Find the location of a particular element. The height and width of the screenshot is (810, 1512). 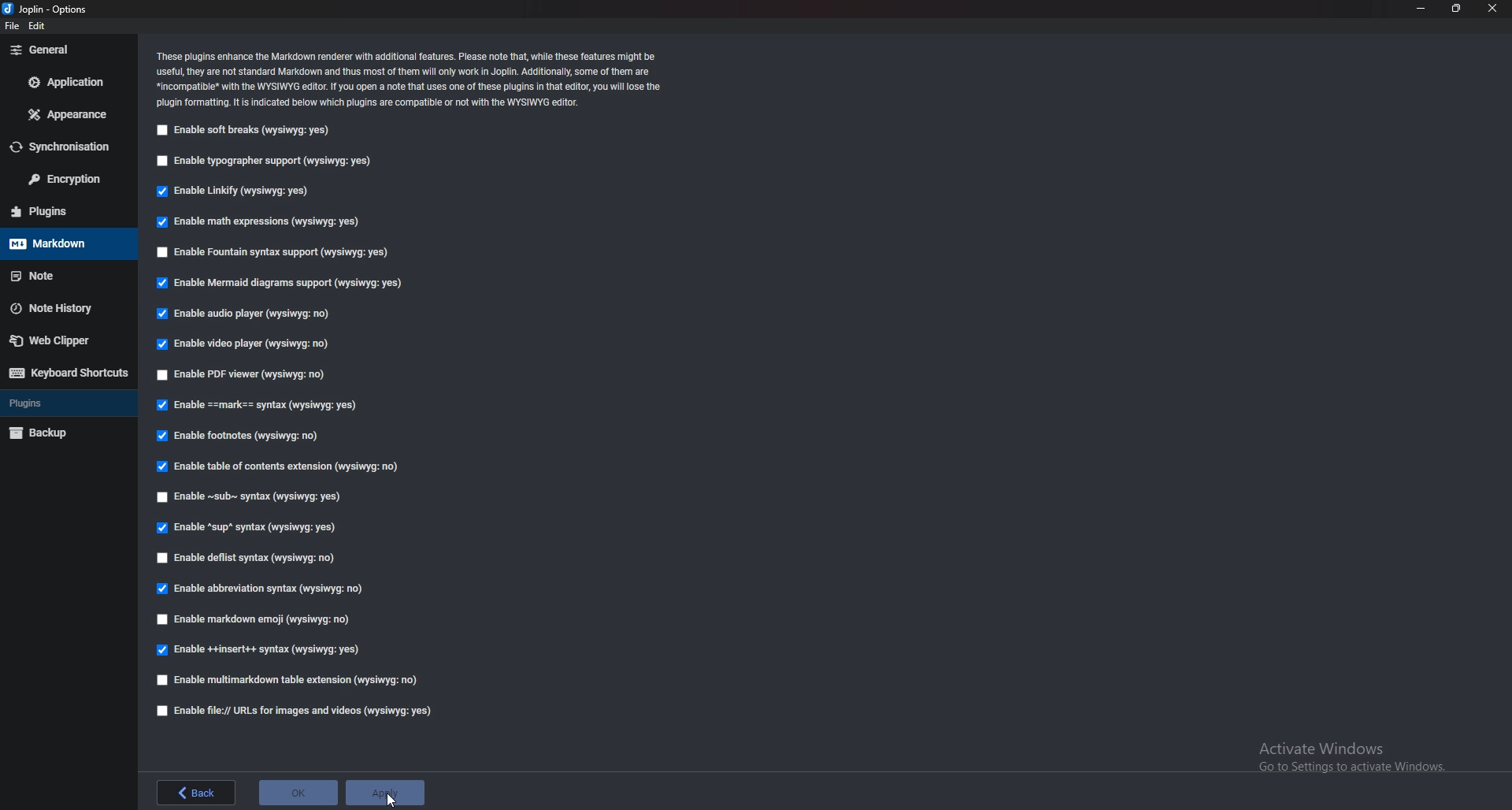

edit is located at coordinates (39, 25).